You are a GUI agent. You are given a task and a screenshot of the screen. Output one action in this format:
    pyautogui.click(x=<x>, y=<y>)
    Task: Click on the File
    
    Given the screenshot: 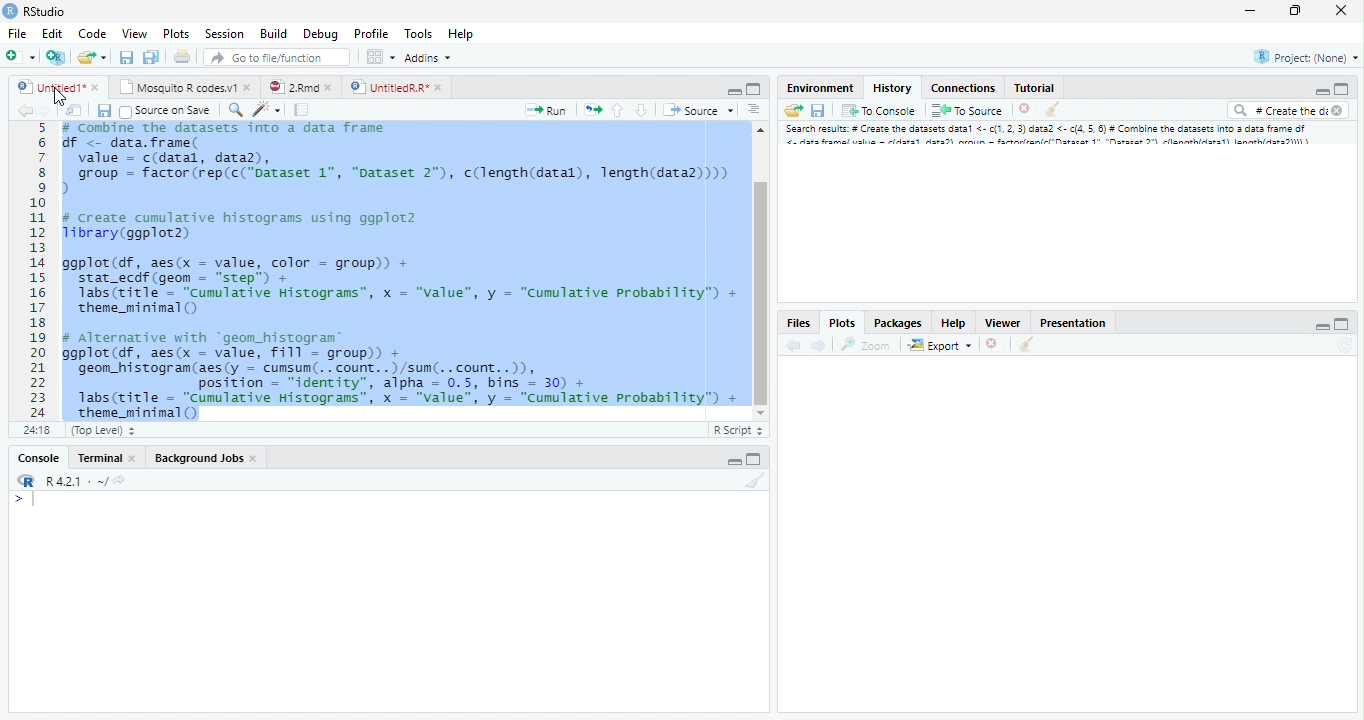 What is the action you would take?
    pyautogui.click(x=17, y=35)
    